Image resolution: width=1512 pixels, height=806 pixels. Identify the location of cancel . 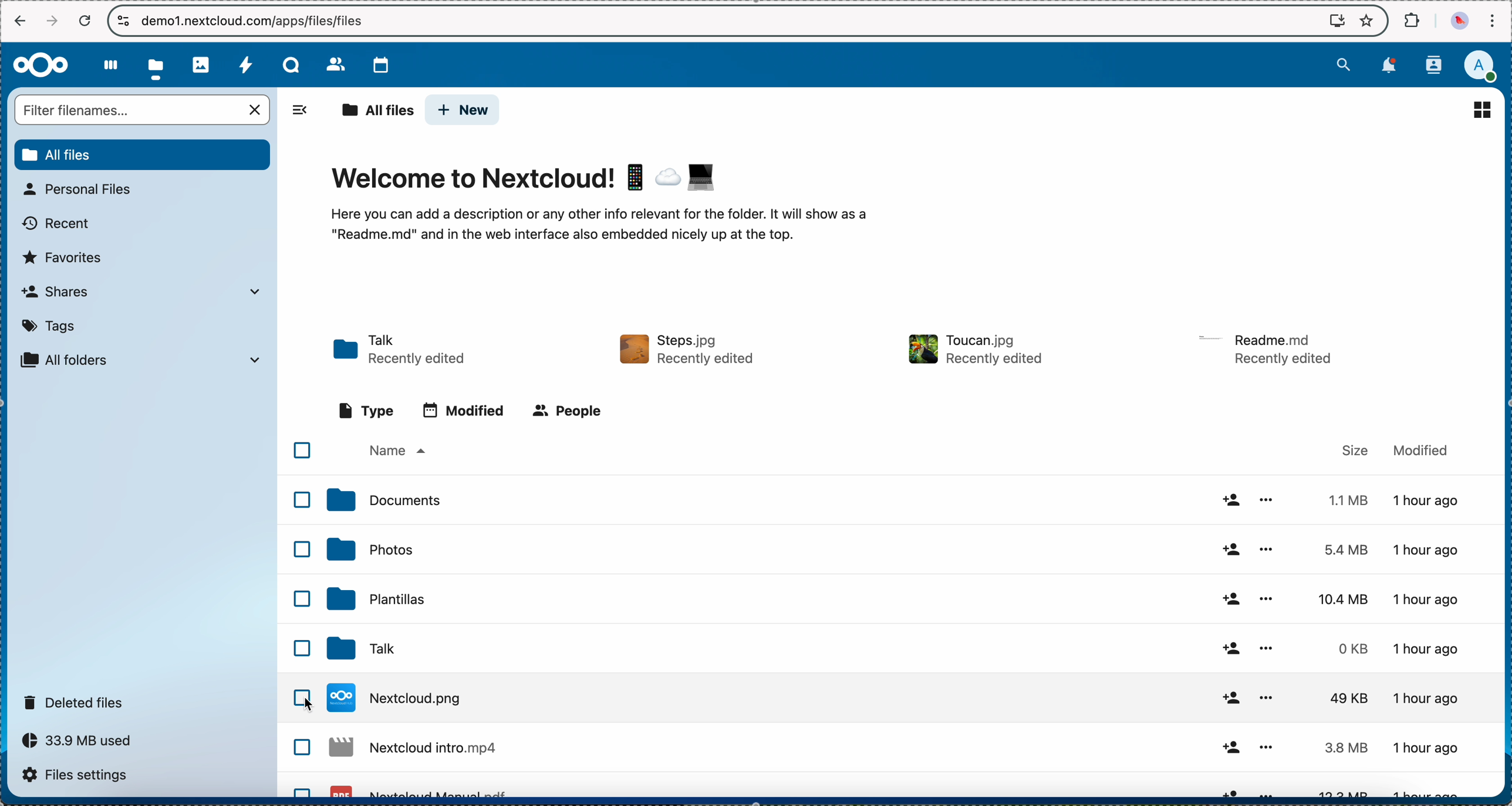
(85, 21).